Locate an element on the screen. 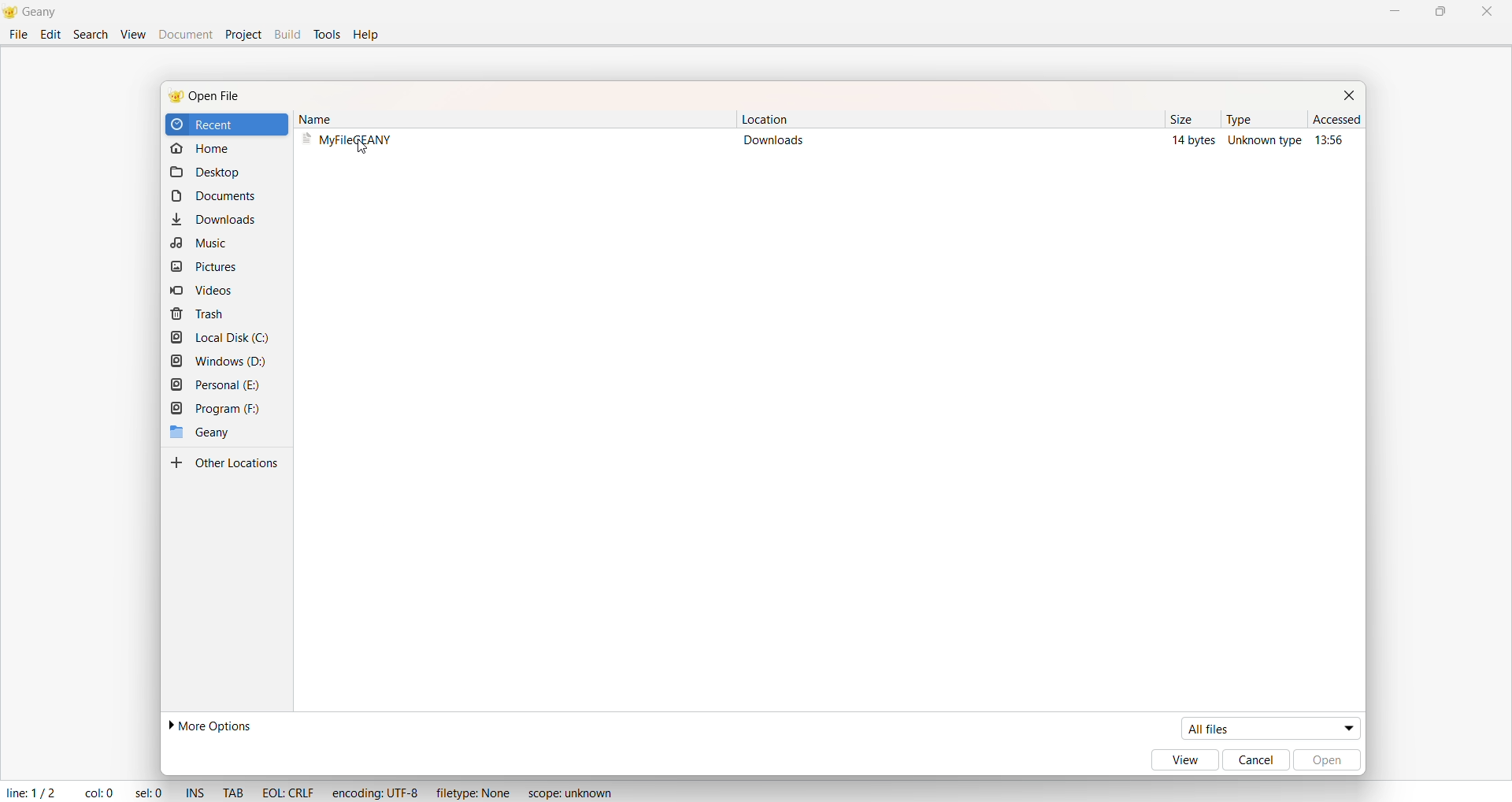  home is located at coordinates (206, 150).